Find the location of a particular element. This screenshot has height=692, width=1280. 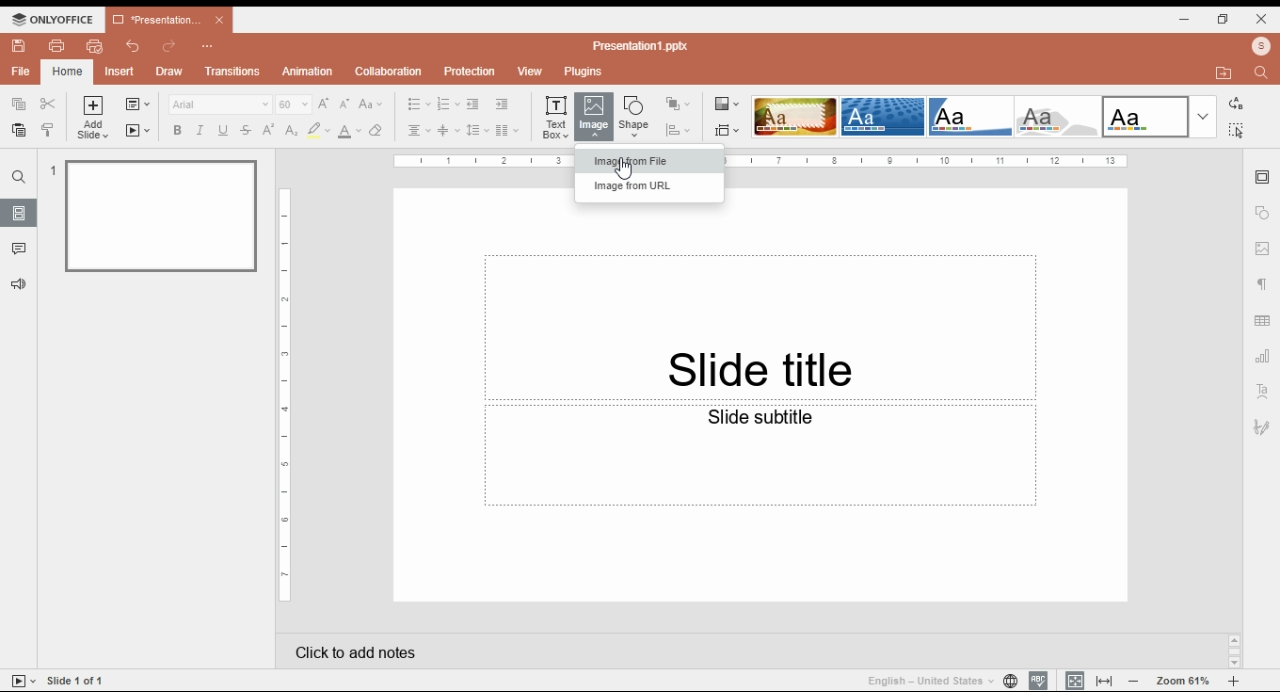

font size is located at coordinates (292, 103).